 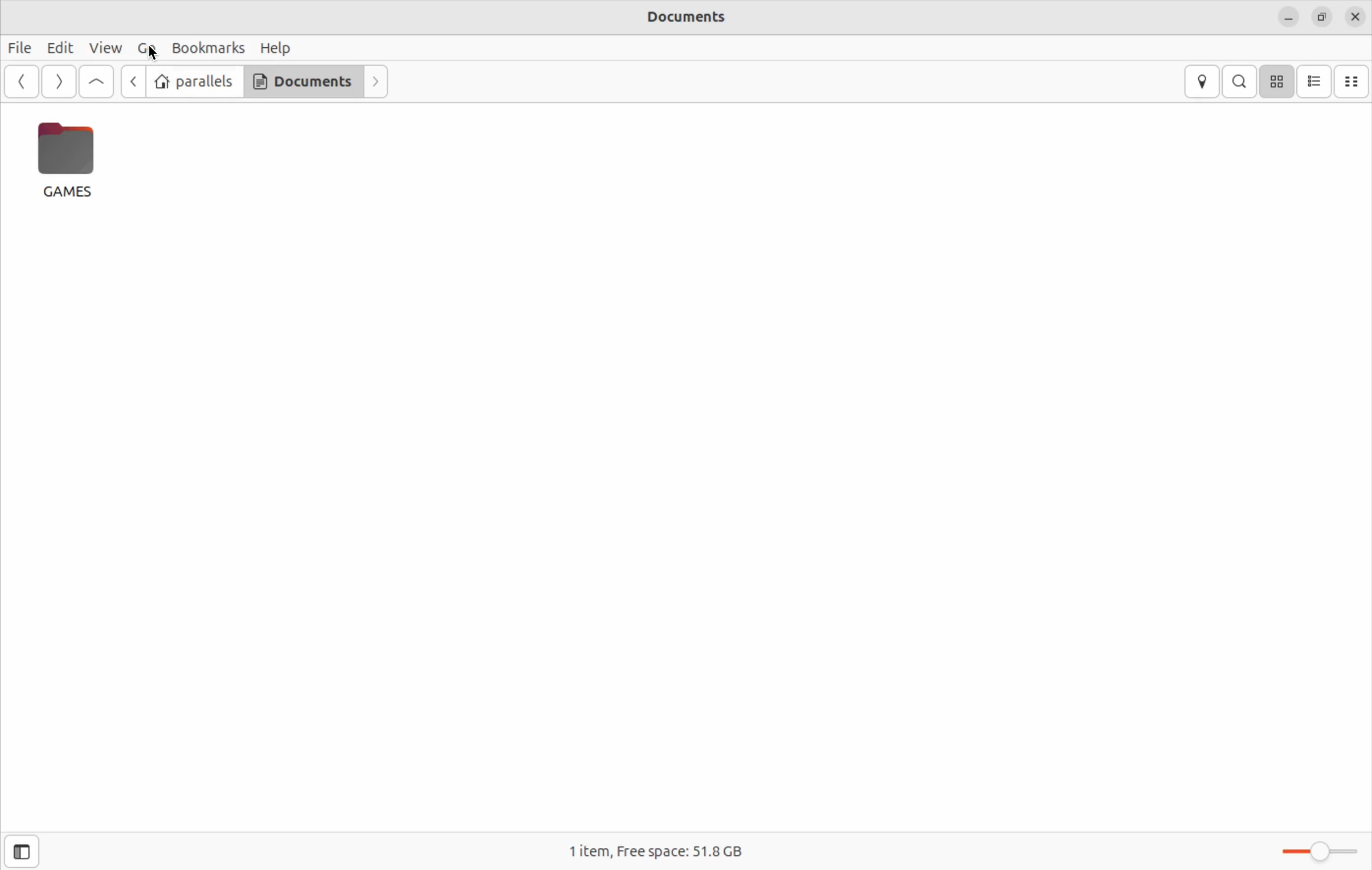 What do you see at coordinates (21, 852) in the screenshot?
I see `show side bar` at bounding box center [21, 852].